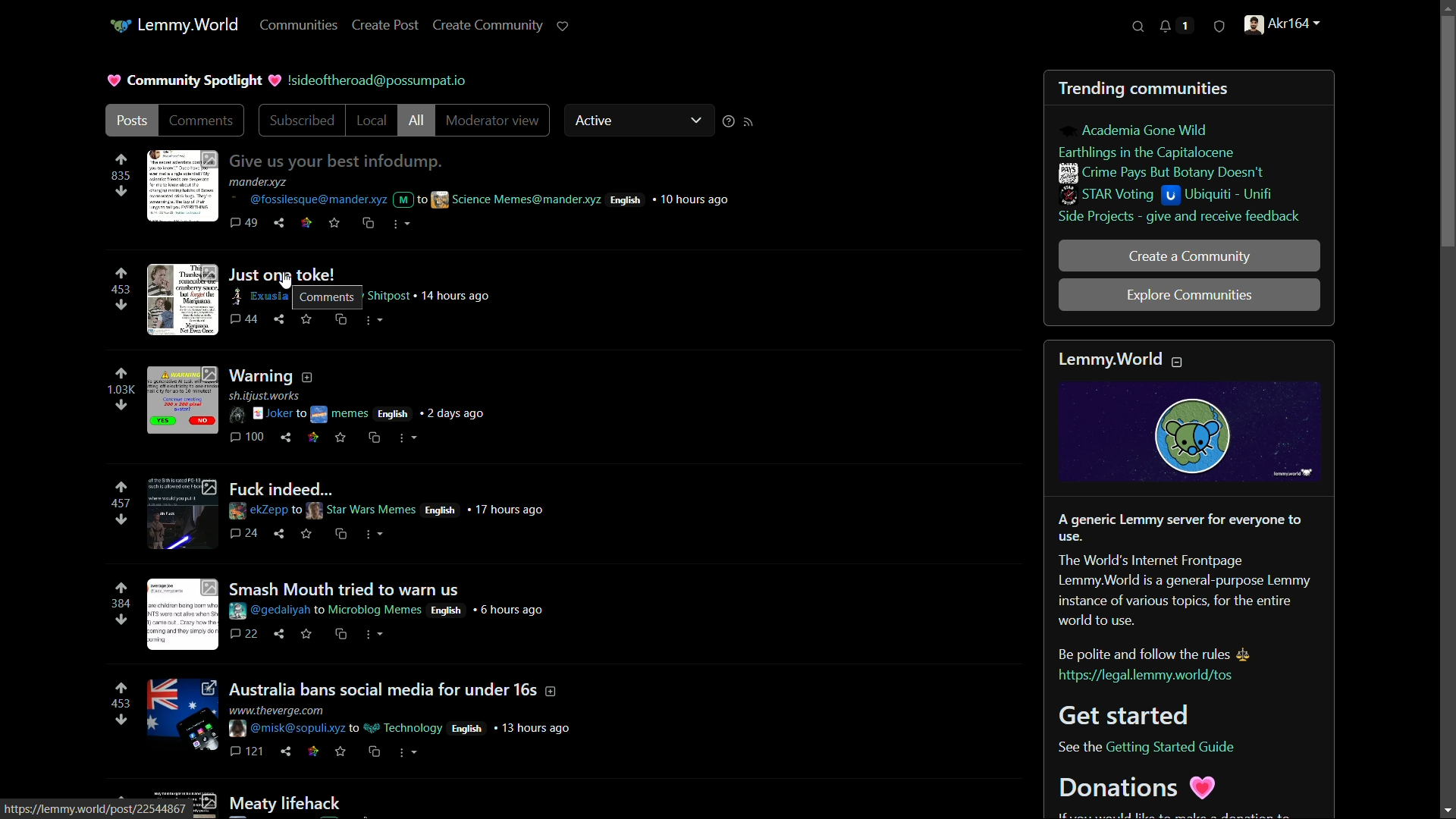  Describe the element at coordinates (289, 274) in the screenshot. I see `Just one take!` at that location.